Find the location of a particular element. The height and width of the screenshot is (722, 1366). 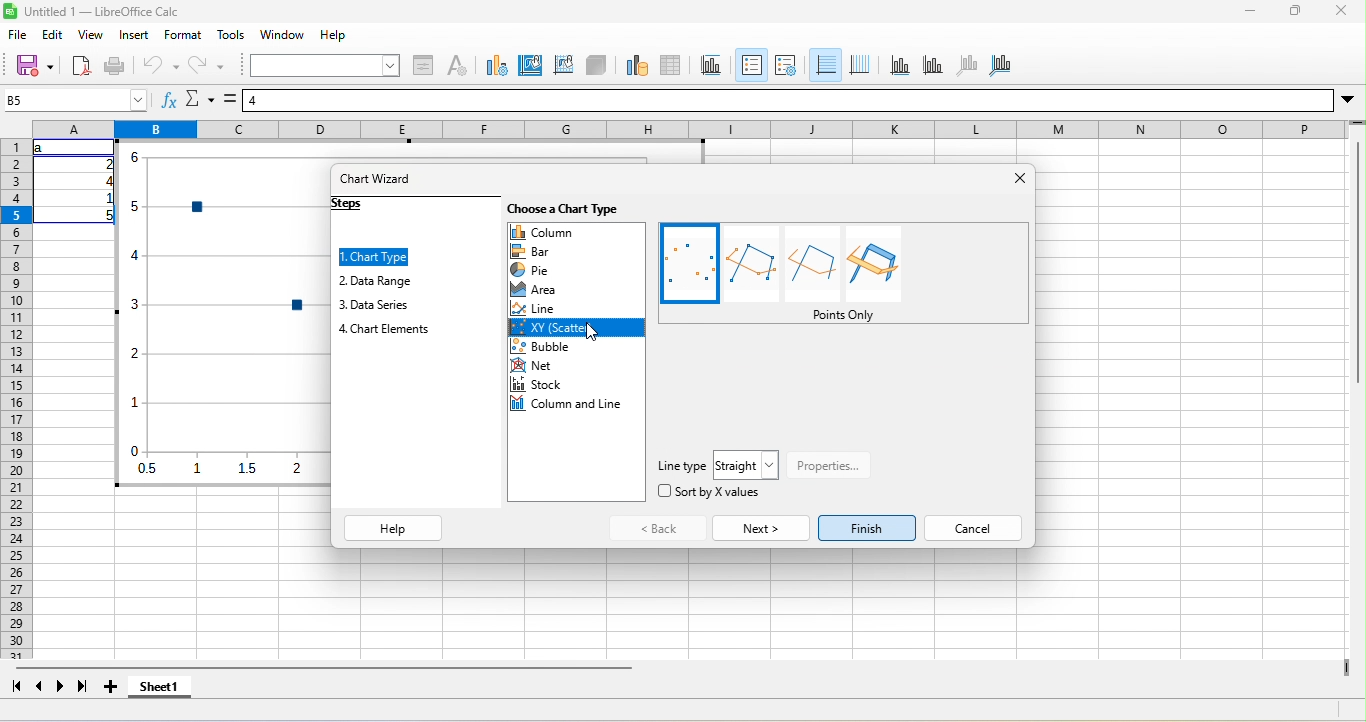

select function is located at coordinates (200, 99).